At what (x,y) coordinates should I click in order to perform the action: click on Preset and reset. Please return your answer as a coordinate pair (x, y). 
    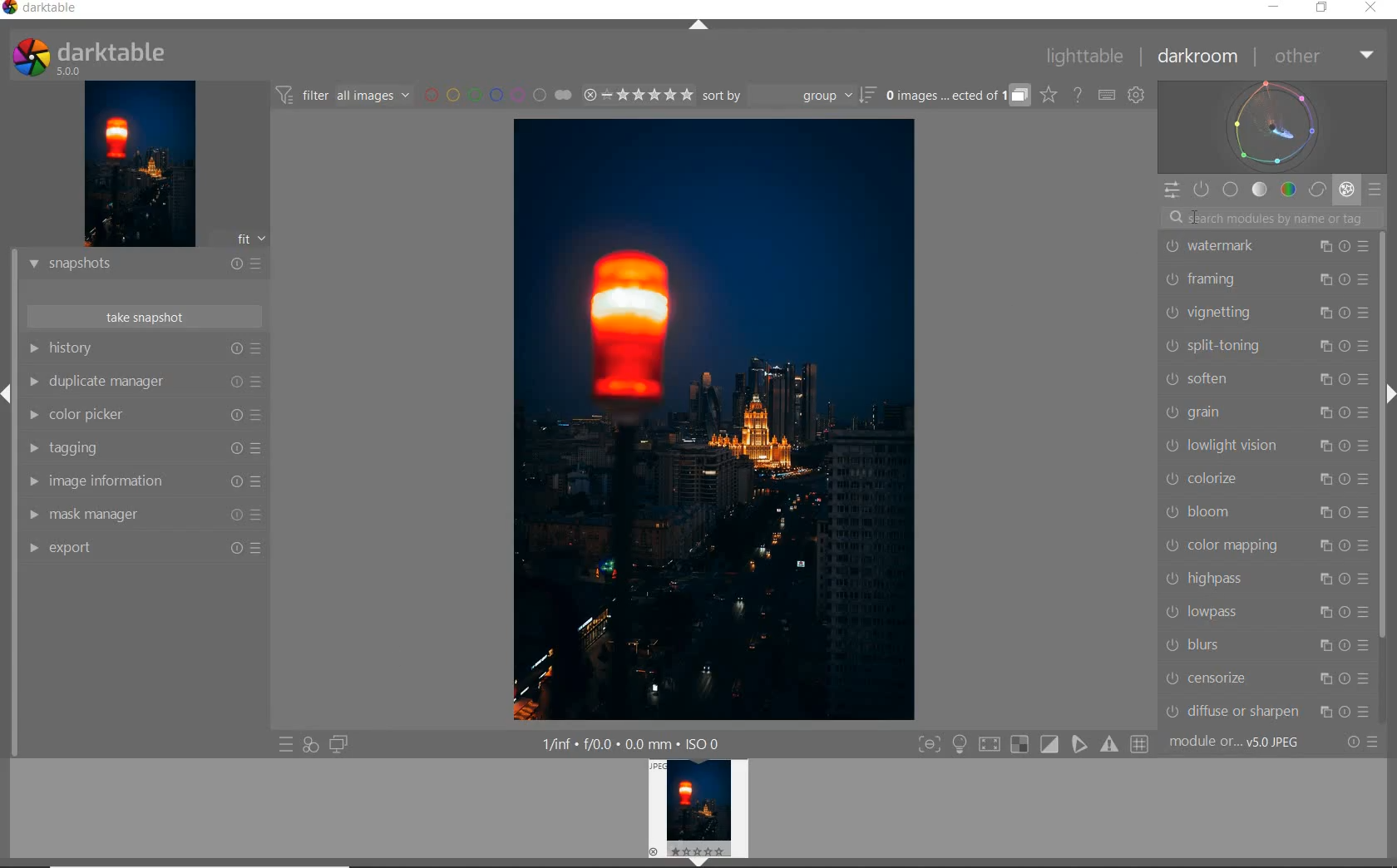
    Looking at the image, I should click on (1363, 579).